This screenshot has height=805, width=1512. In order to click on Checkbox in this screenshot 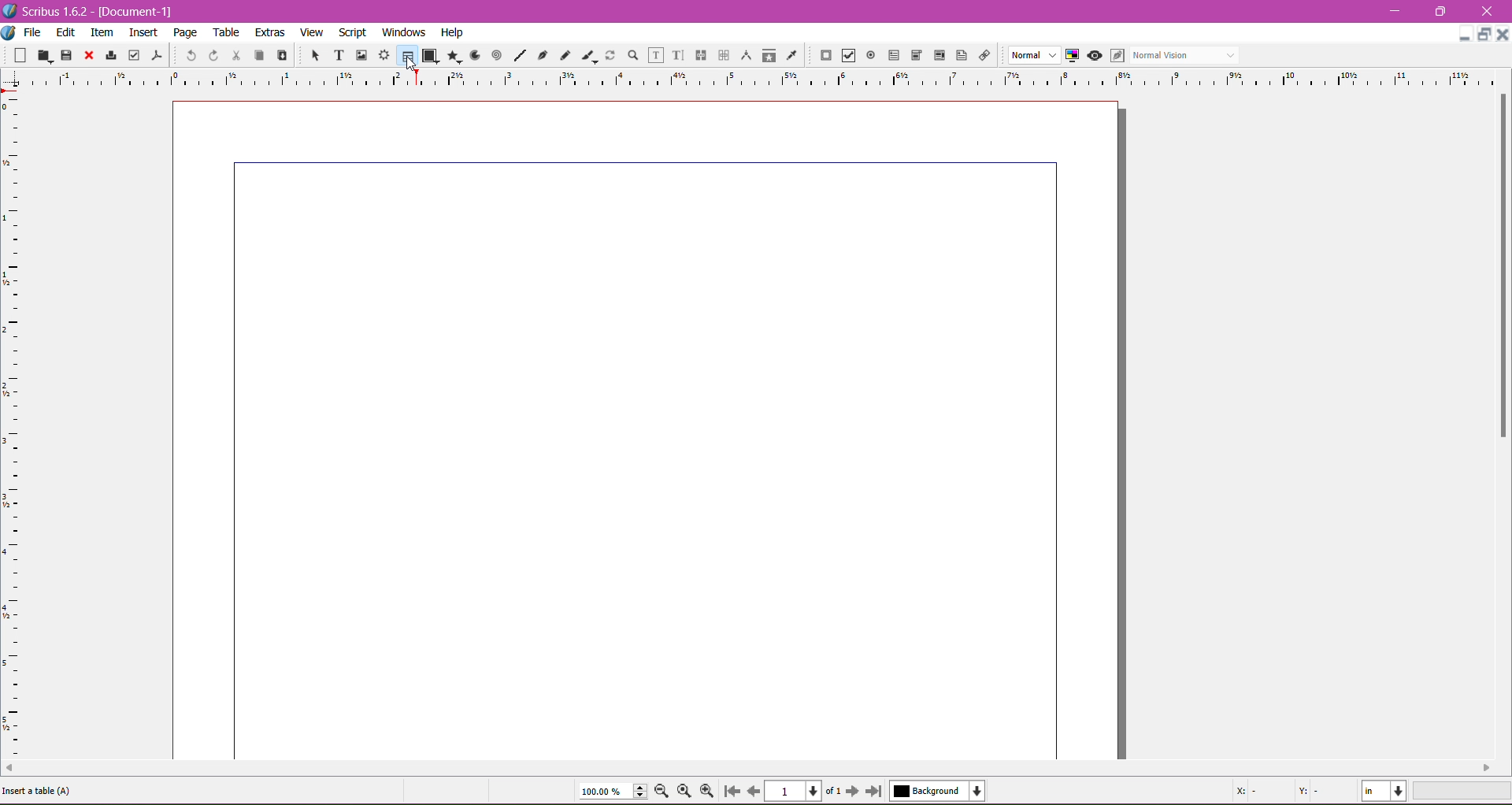, I will do `click(847, 57)`.